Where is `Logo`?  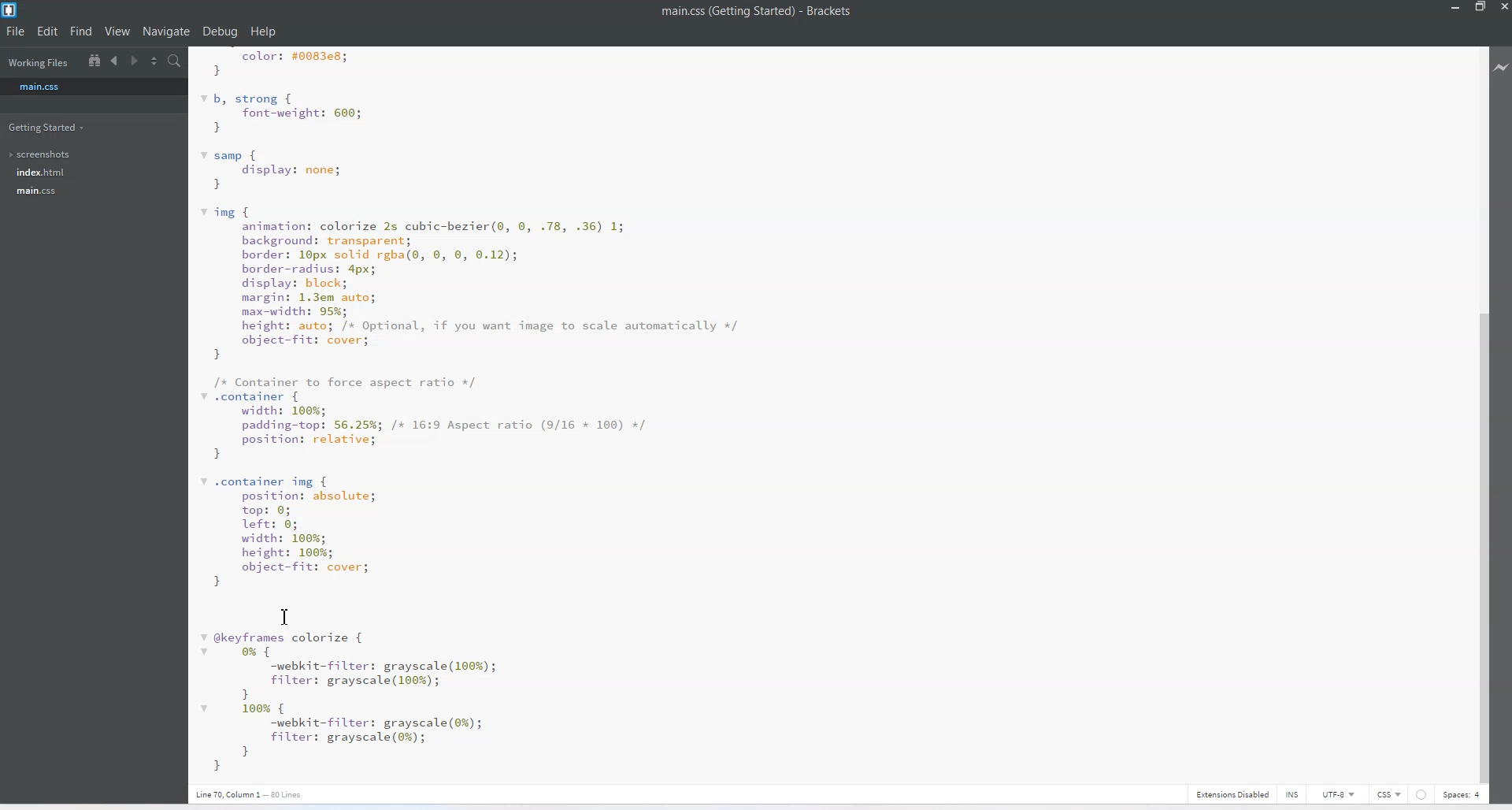 Logo is located at coordinates (11, 10).